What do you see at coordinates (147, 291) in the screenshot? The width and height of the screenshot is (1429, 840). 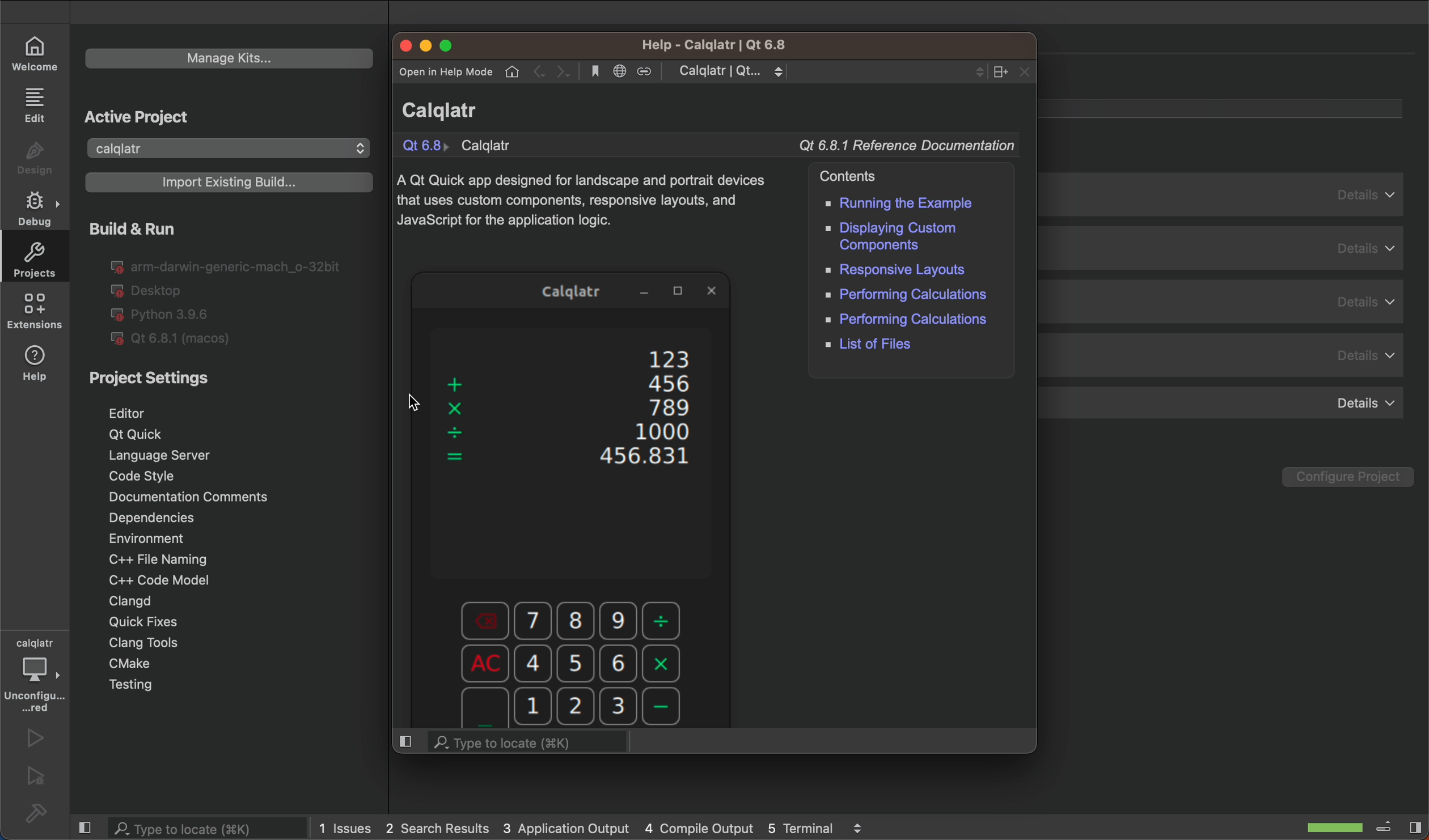 I see `desktop` at bounding box center [147, 291].